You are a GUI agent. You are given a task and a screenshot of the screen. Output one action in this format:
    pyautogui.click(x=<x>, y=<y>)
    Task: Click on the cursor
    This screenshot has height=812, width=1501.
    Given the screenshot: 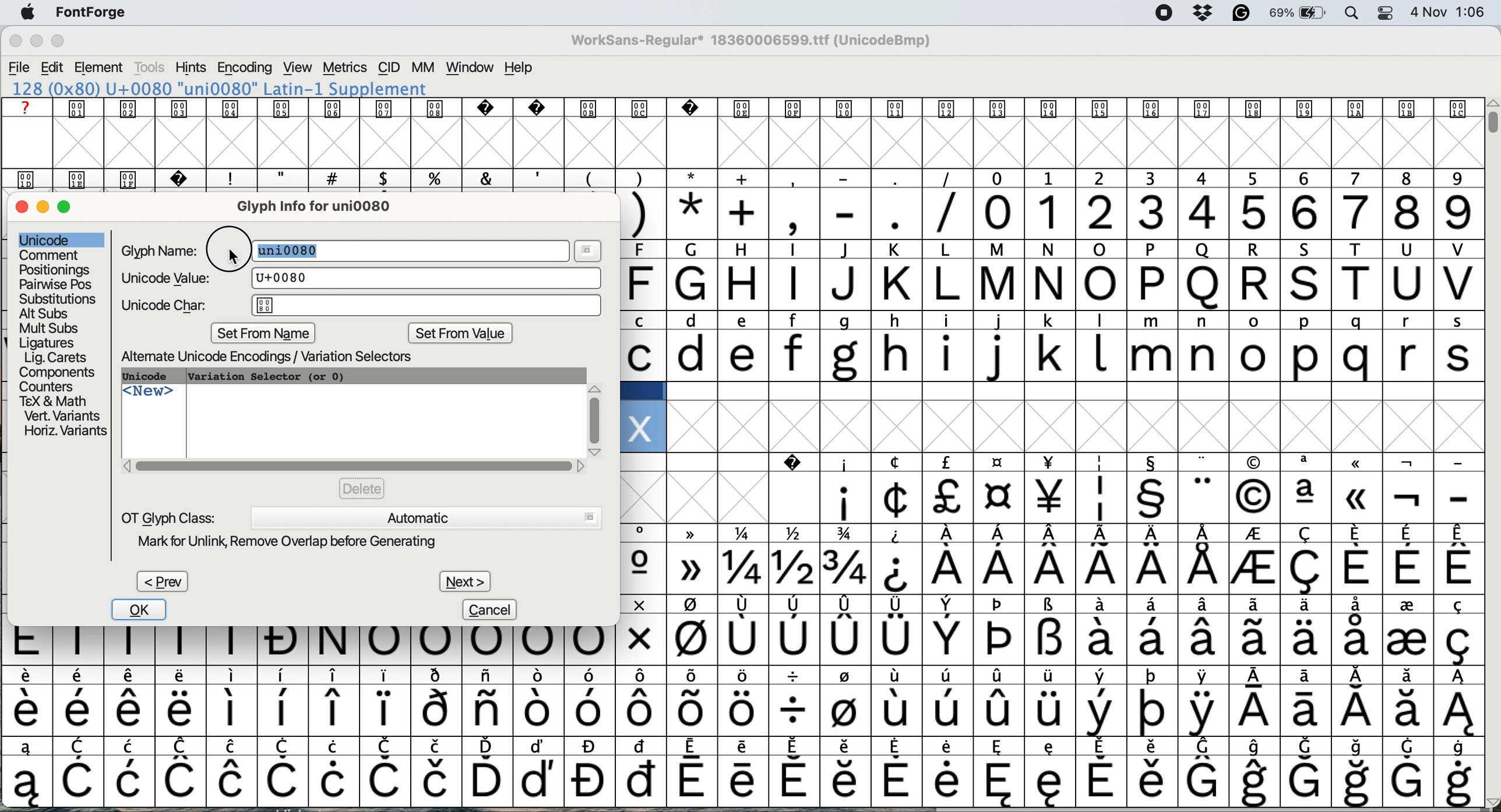 What is the action you would take?
    pyautogui.click(x=231, y=245)
    